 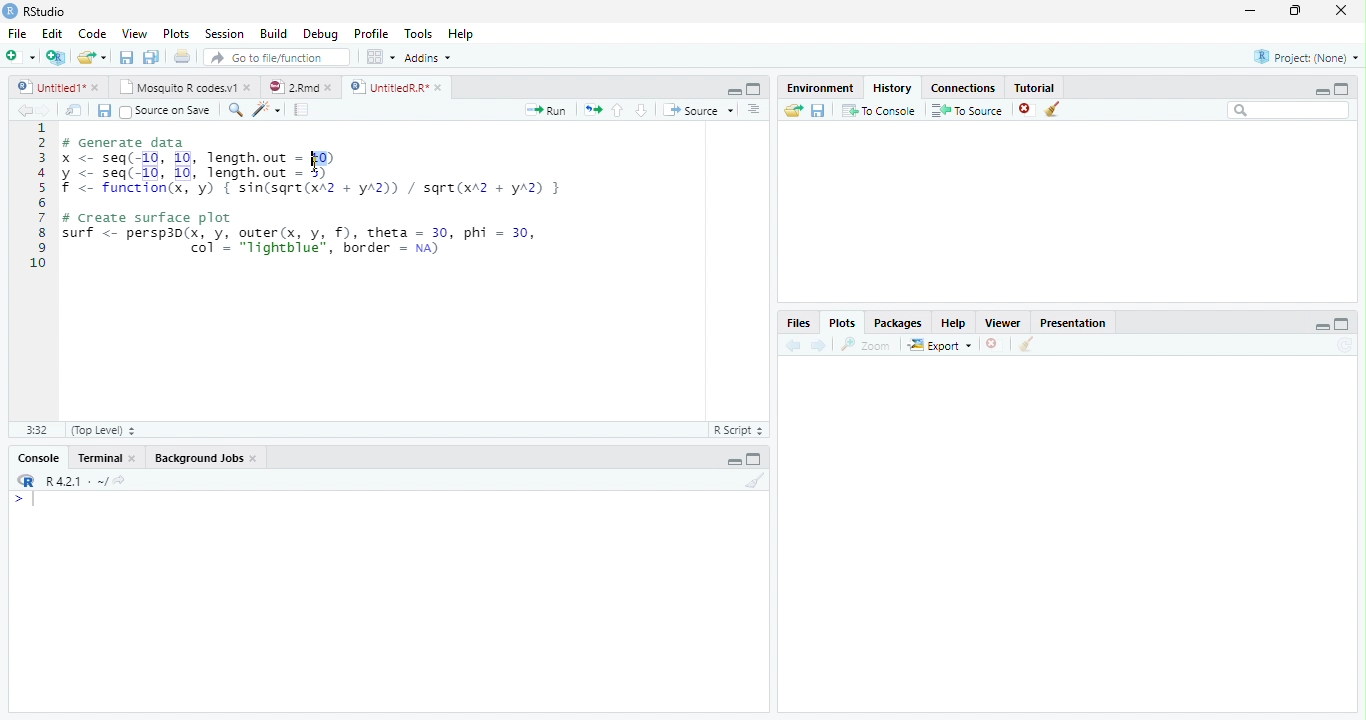 I want to click on View, so click(x=134, y=33).